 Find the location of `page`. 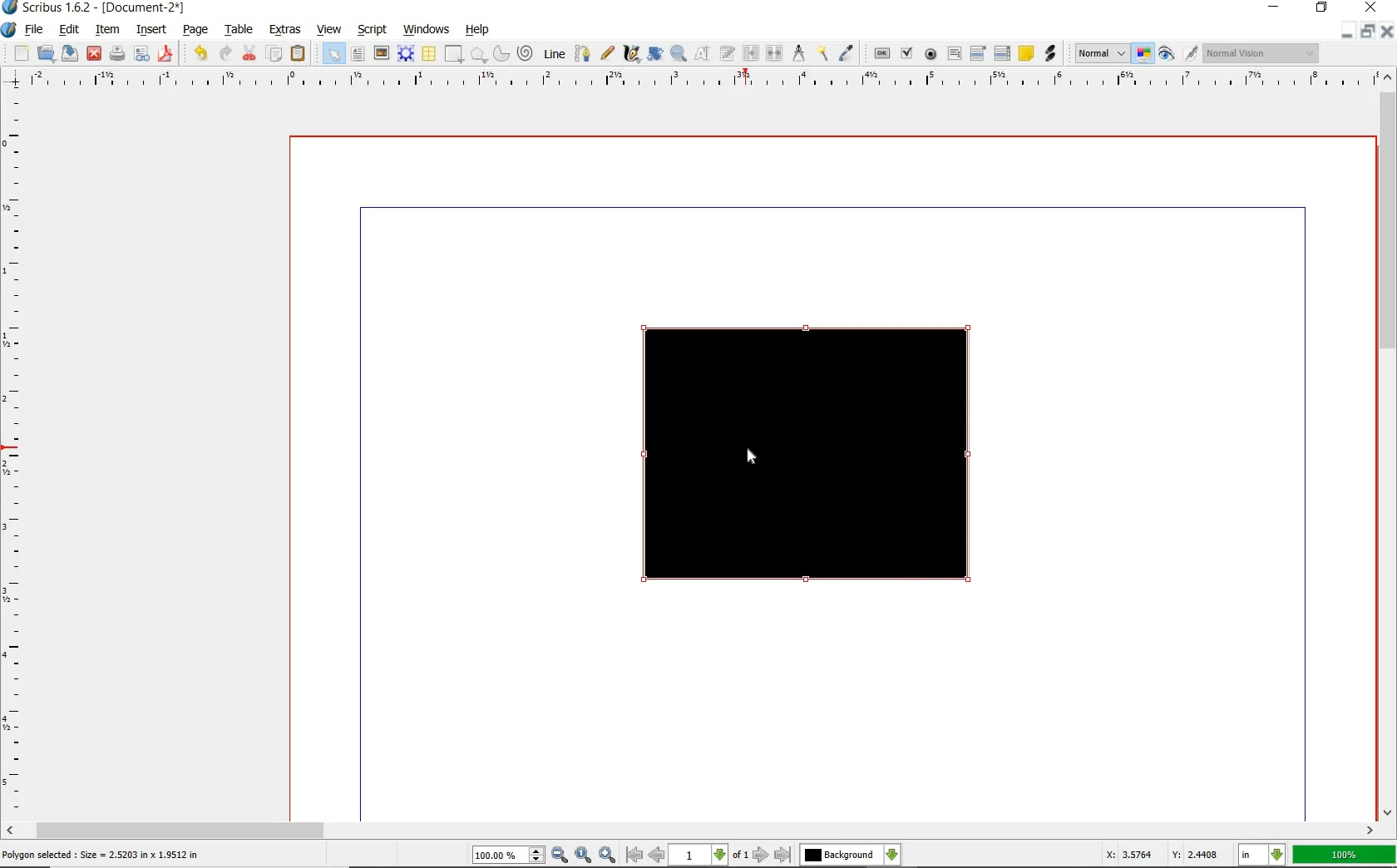

page is located at coordinates (196, 32).